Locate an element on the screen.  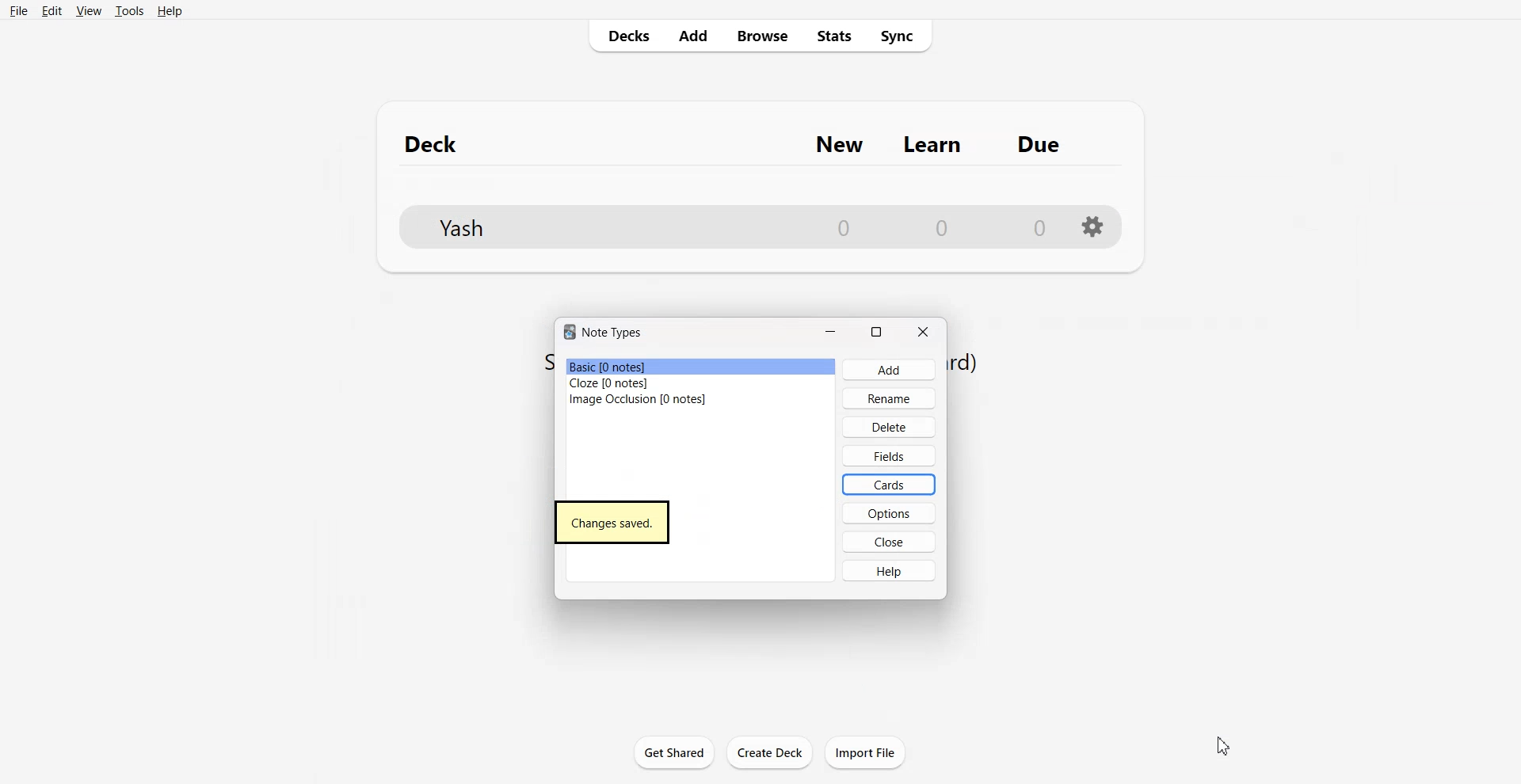
Rename is located at coordinates (889, 398).